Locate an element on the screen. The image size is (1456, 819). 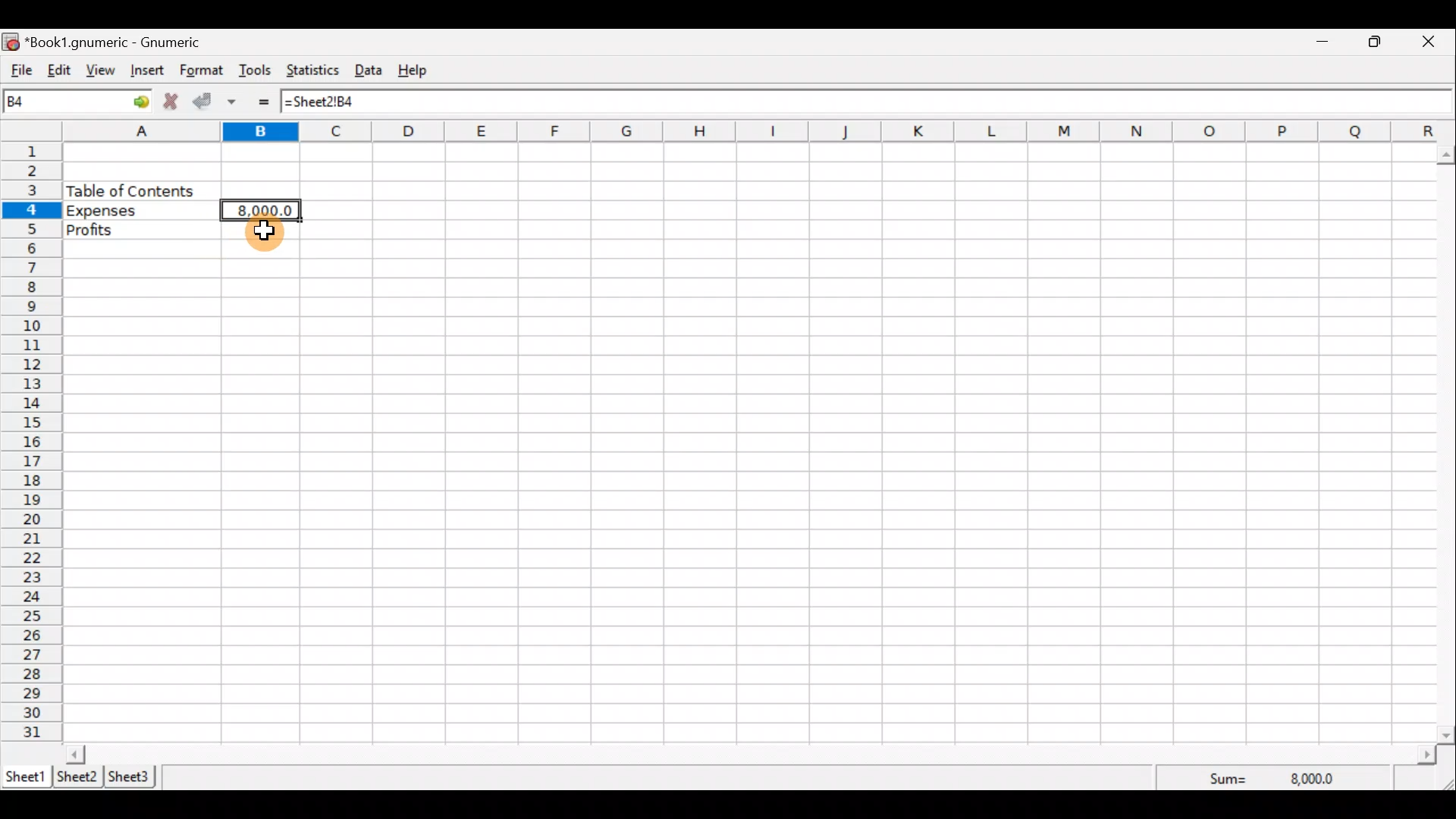
Data is located at coordinates (373, 71).